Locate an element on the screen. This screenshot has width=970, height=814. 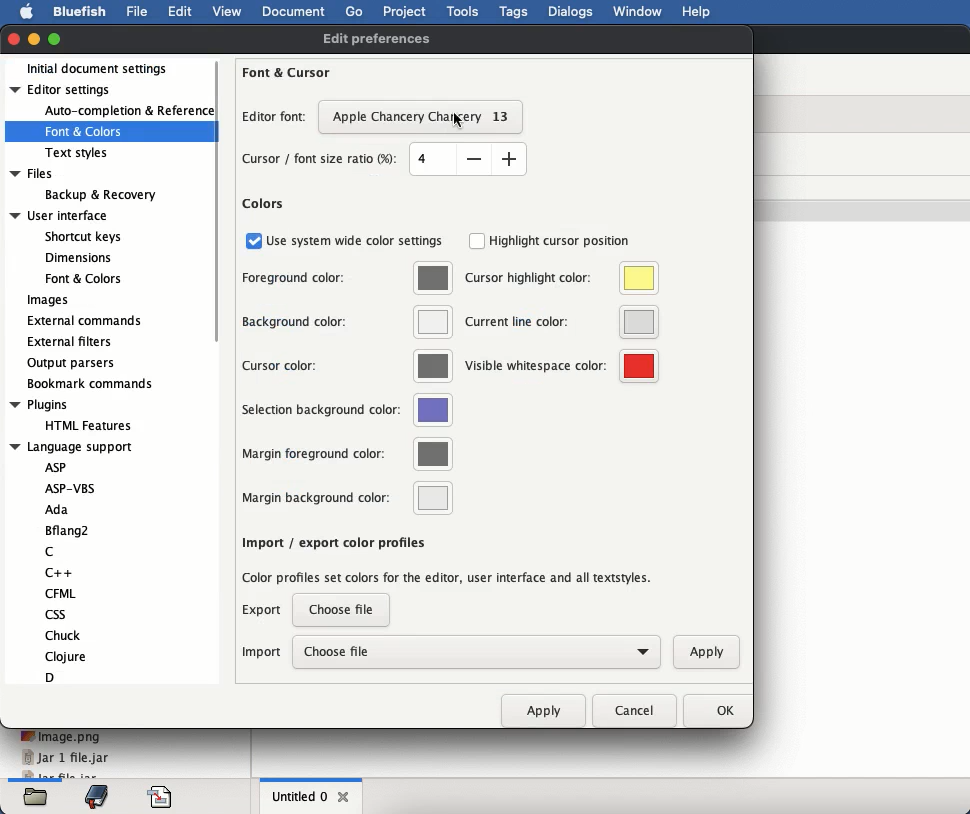
margin foreground color is located at coordinates (346, 455).